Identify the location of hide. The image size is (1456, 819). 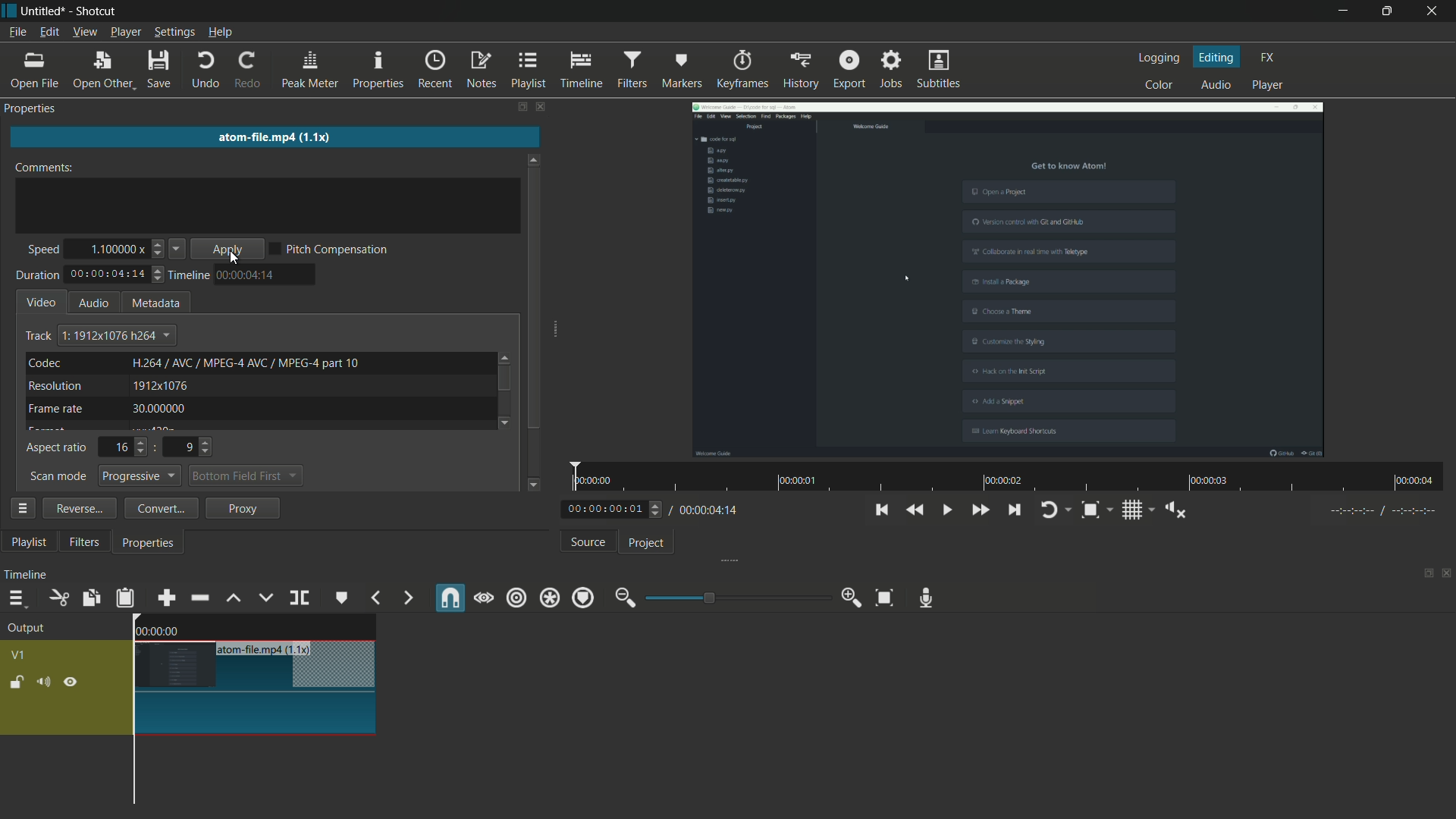
(71, 683).